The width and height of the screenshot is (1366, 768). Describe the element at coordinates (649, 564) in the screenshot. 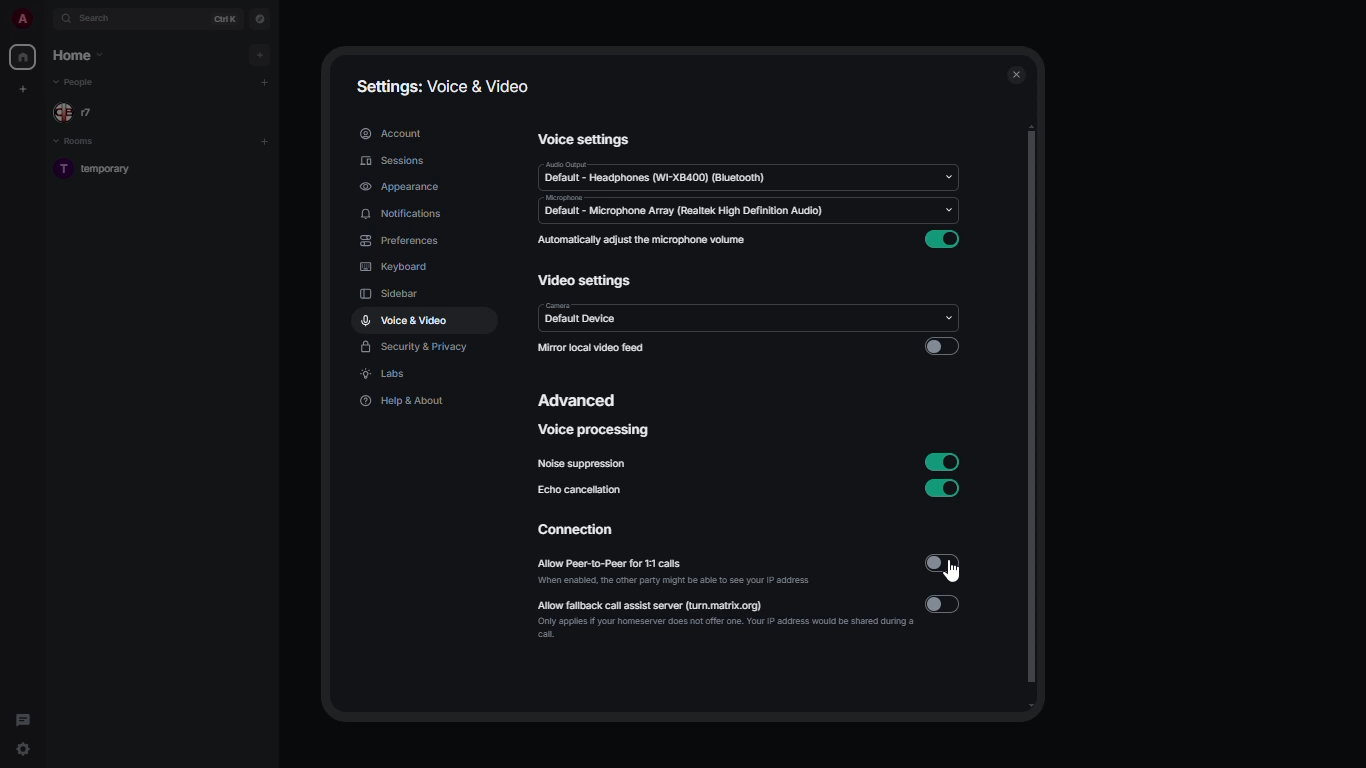

I see `allow peer-to-peer for 1:1 calls` at that location.